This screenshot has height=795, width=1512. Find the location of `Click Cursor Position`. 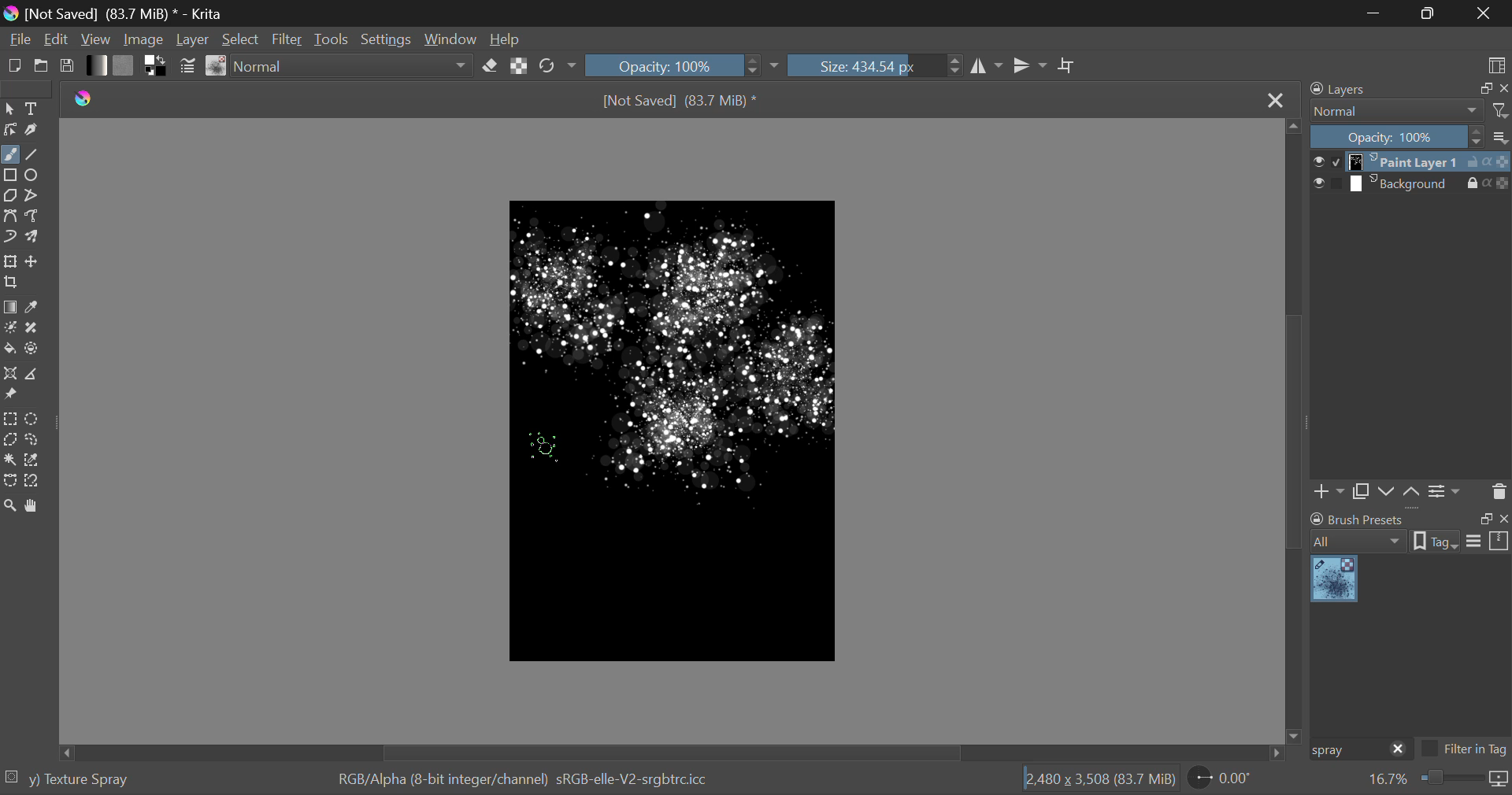

Click Cursor Position is located at coordinates (544, 446).